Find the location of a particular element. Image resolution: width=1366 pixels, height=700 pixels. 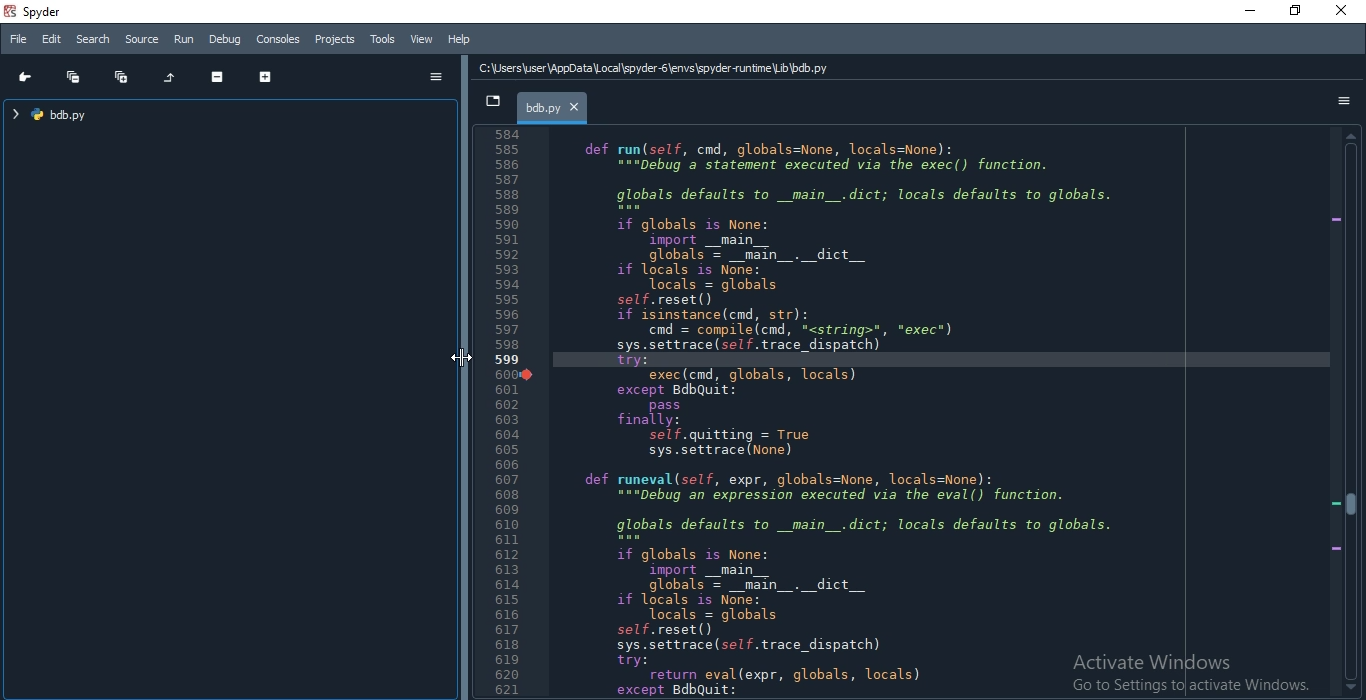

bdb.py is located at coordinates (552, 107).